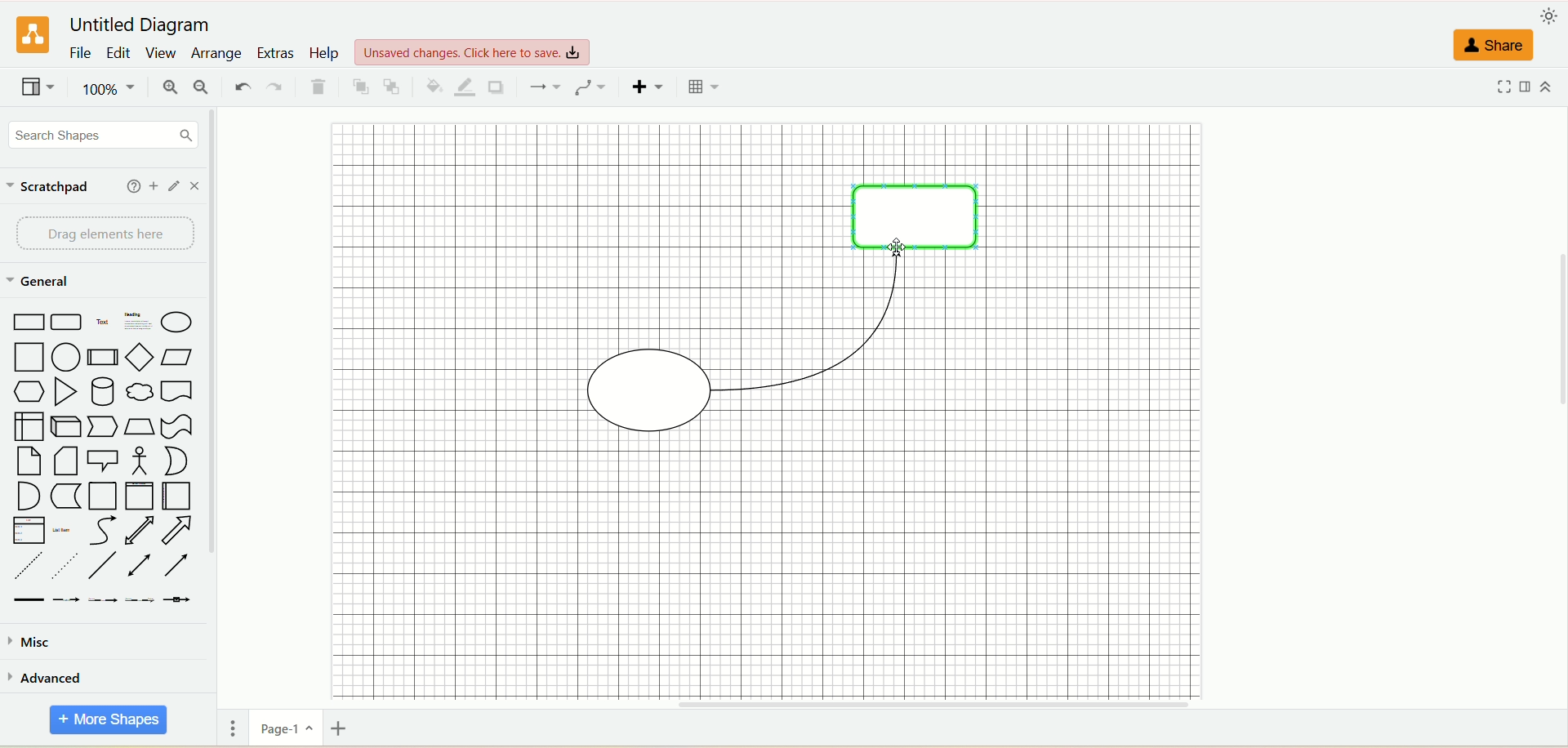 The height and width of the screenshot is (748, 1568). Describe the element at coordinates (107, 91) in the screenshot. I see `zoom factor` at that location.